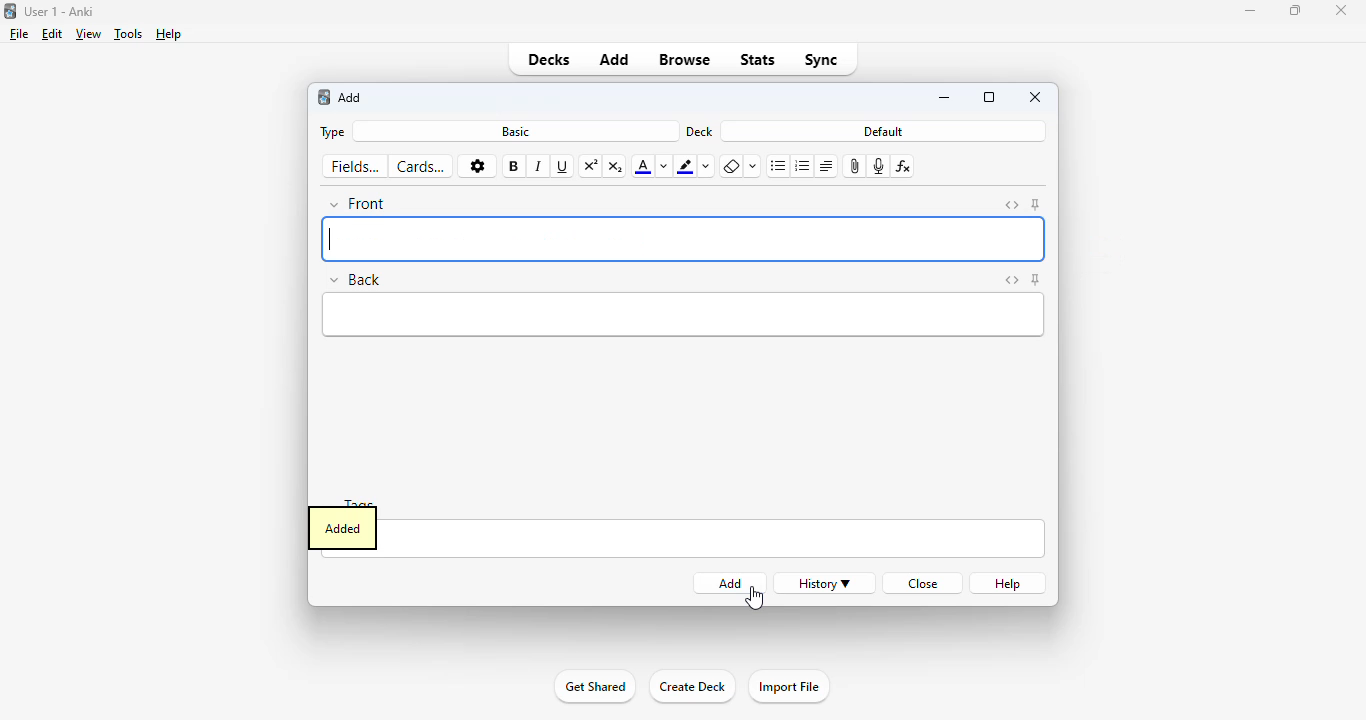  Describe the element at coordinates (333, 133) in the screenshot. I see `type` at that location.